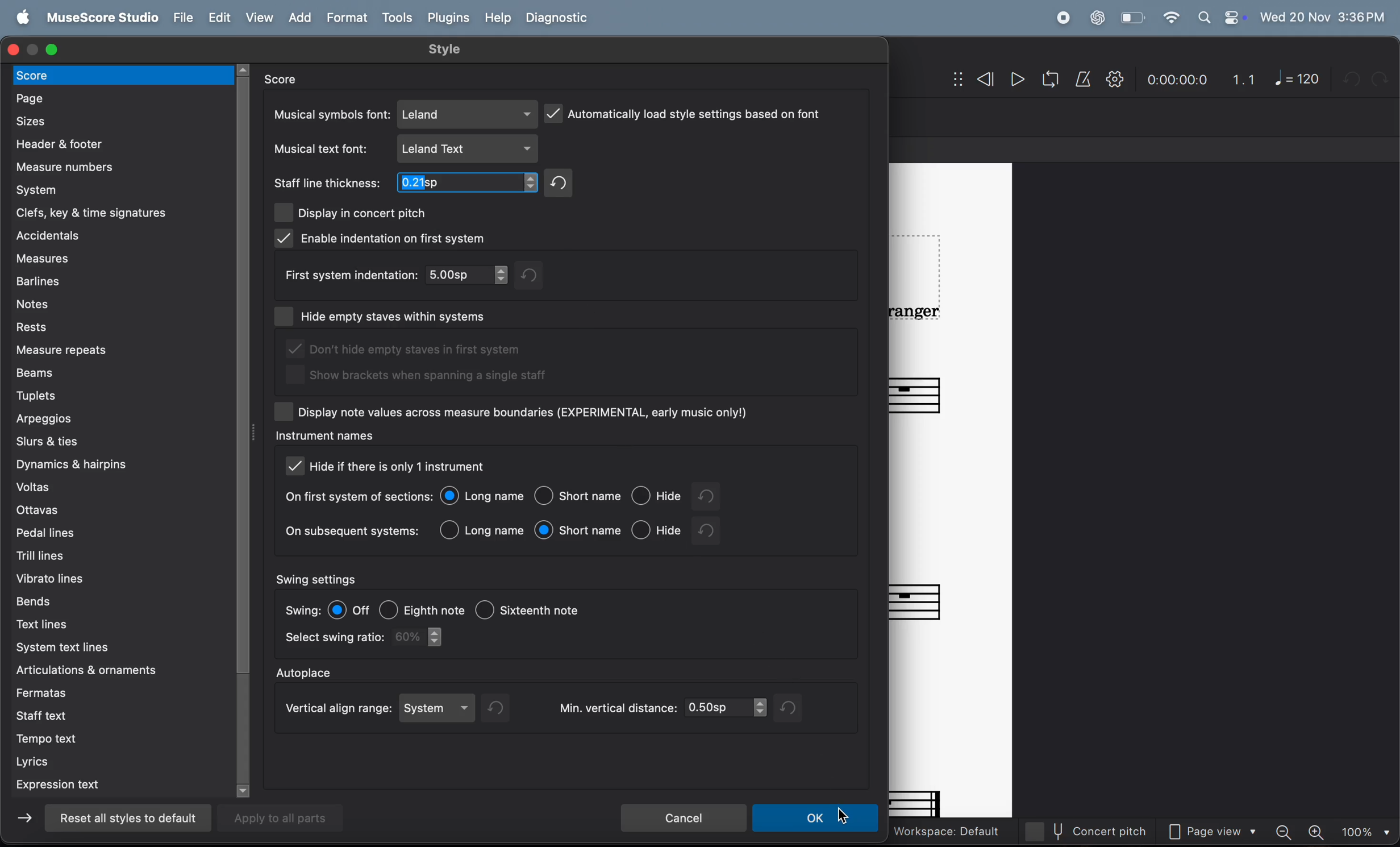 This screenshot has height=847, width=1400. What do you see at coordinates (660, 708) in the screenshot?
I see `min vertical distance` at bounding box center [660, 708].